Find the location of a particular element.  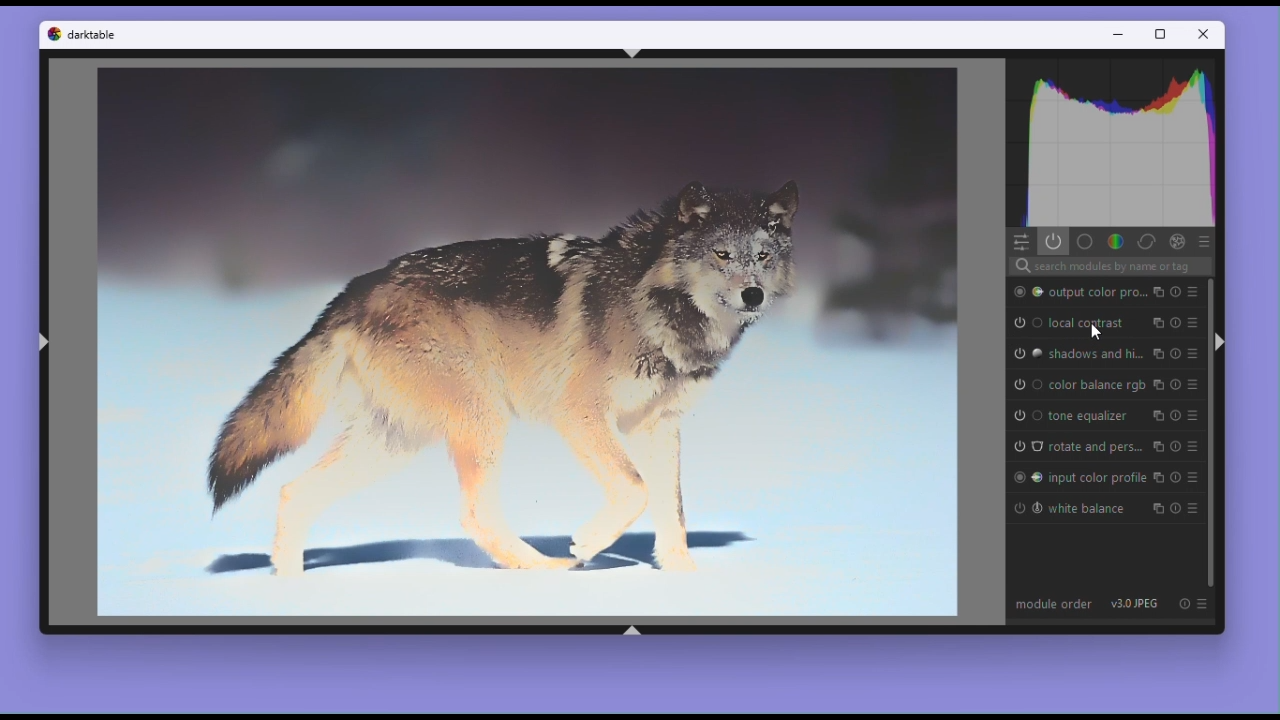

Dark table logo is located at coordinates (54, 36).